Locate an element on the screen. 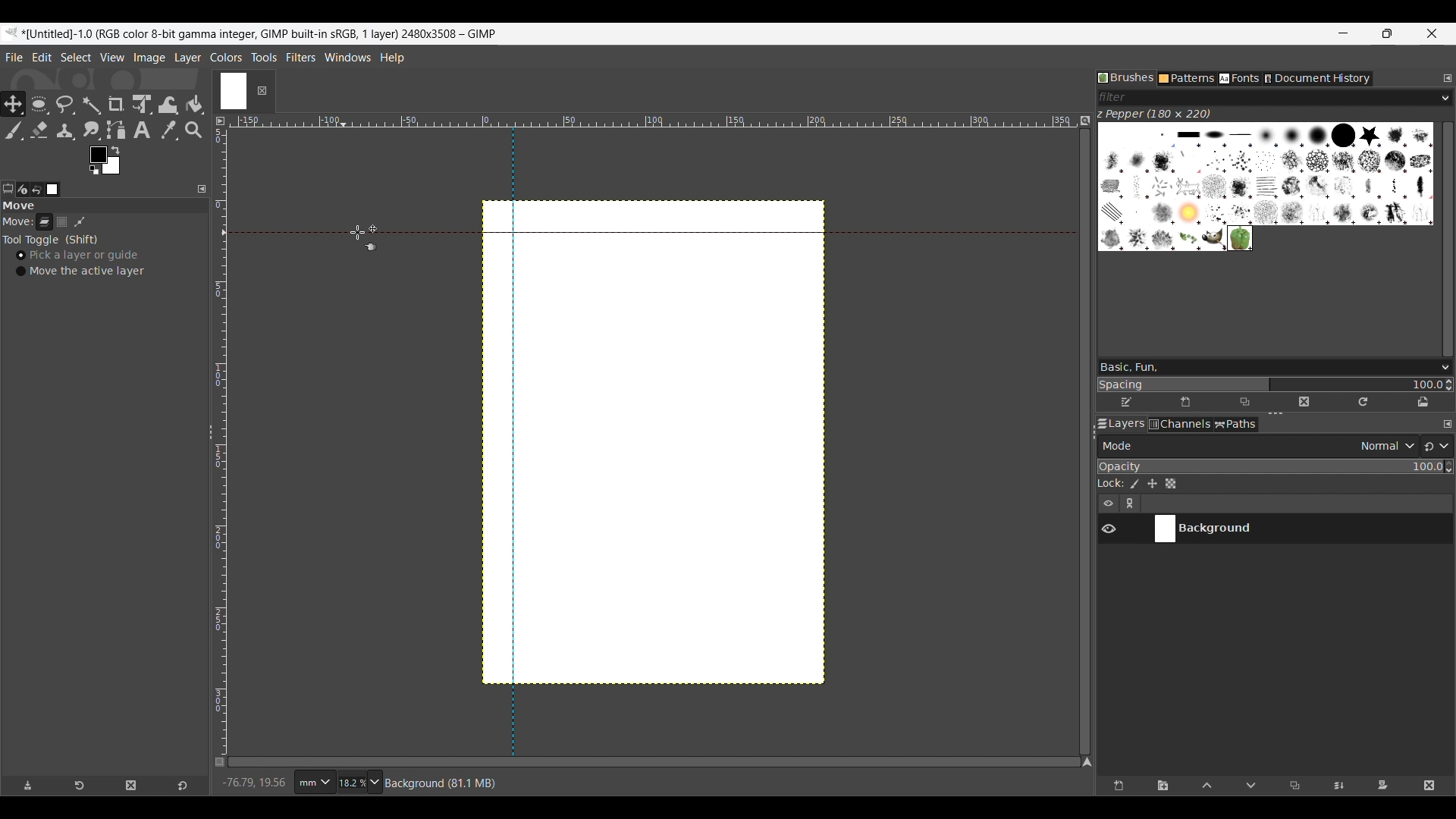 The image size is (1456, 819). Zoom tool is located at coordinates (195, 130).